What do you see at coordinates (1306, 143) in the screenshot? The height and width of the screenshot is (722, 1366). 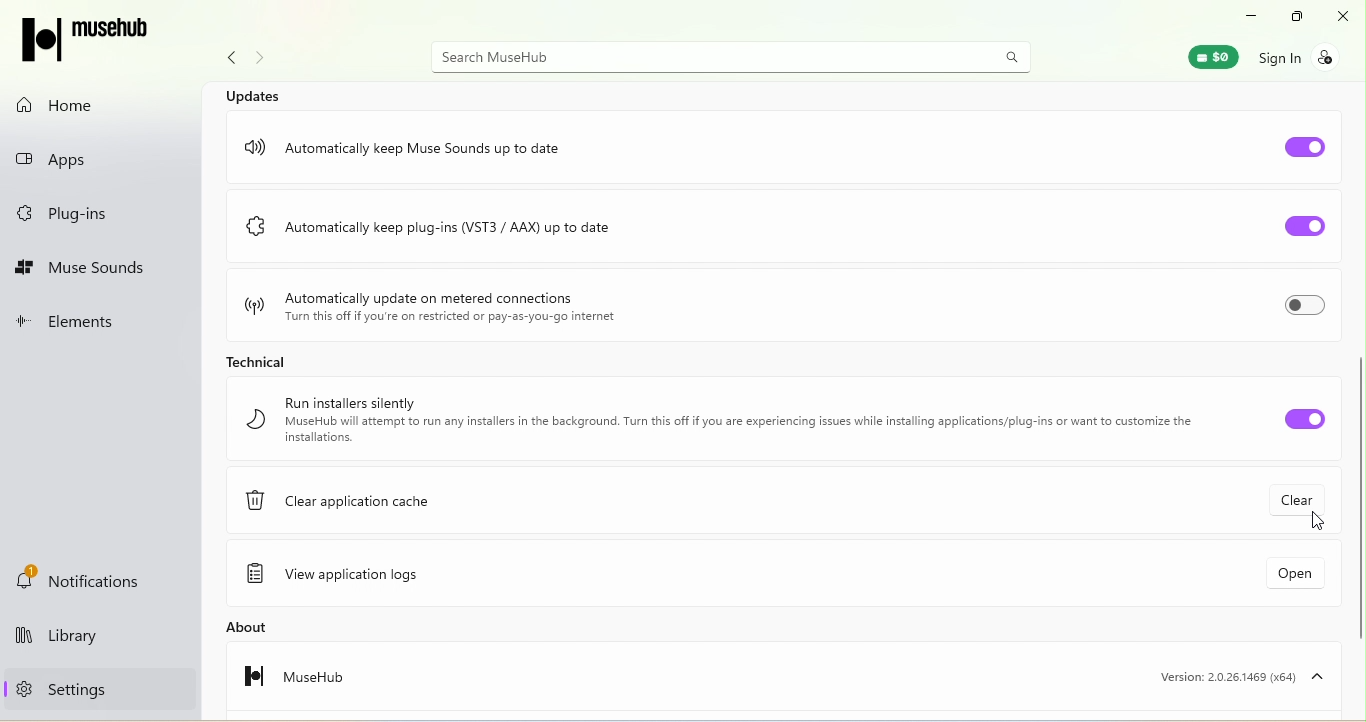 I see `Toggle button` at bounding box center [1306, 143].